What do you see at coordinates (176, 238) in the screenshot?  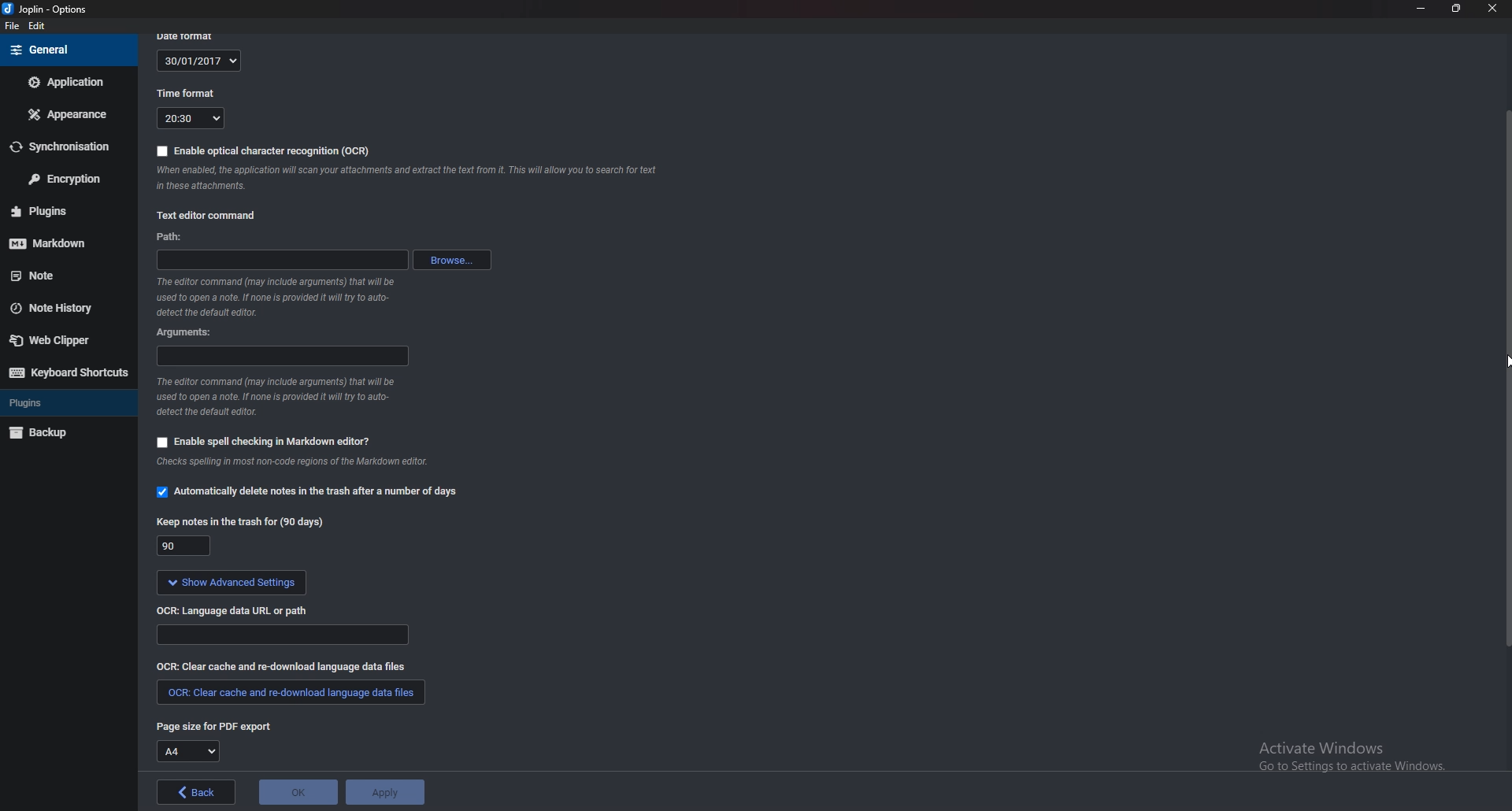 I see `path` at bounding box center [176, 238].